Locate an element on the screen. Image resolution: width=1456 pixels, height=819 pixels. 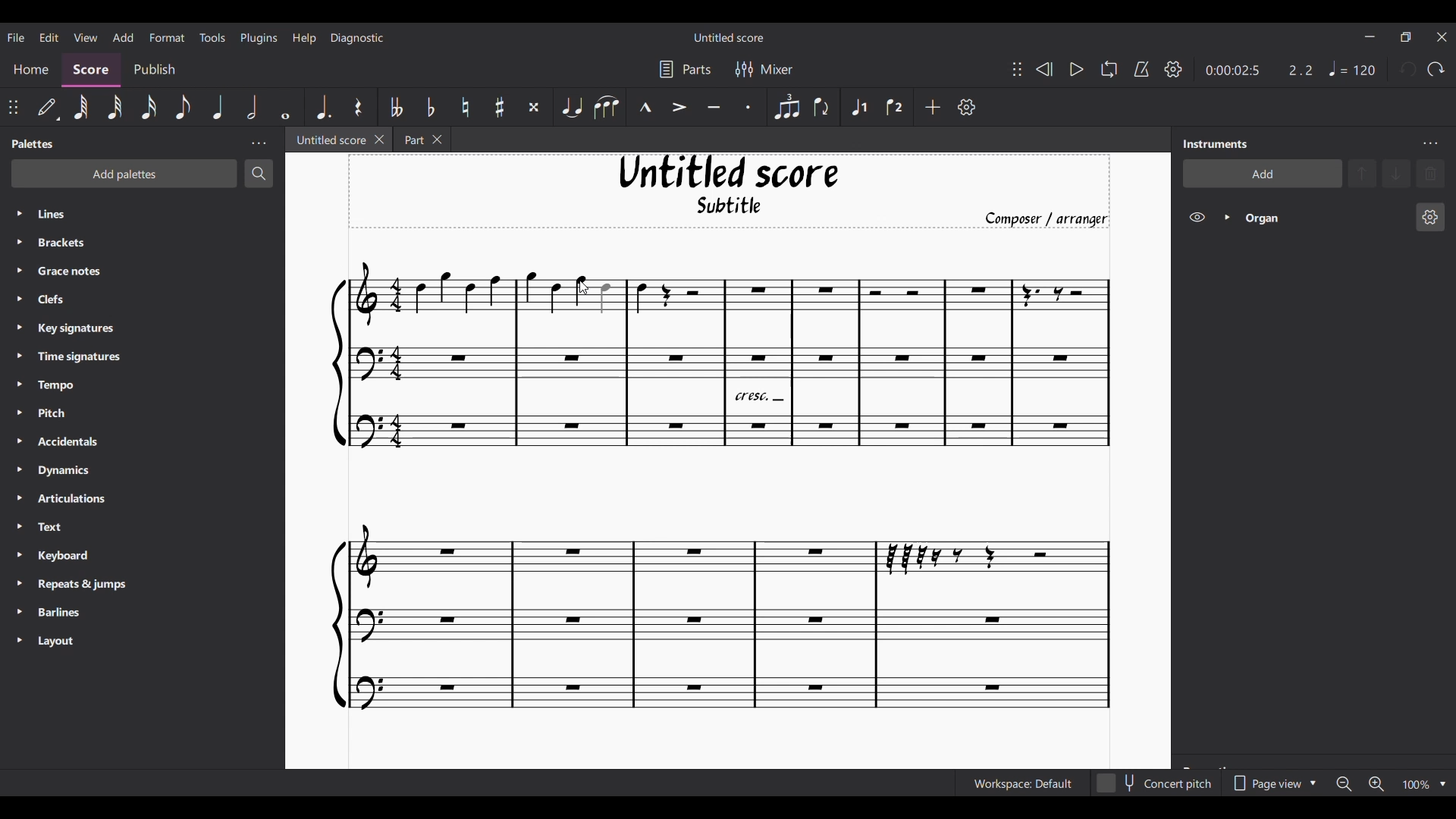
Change position of toolbar is located at coordinates (1016, 68).